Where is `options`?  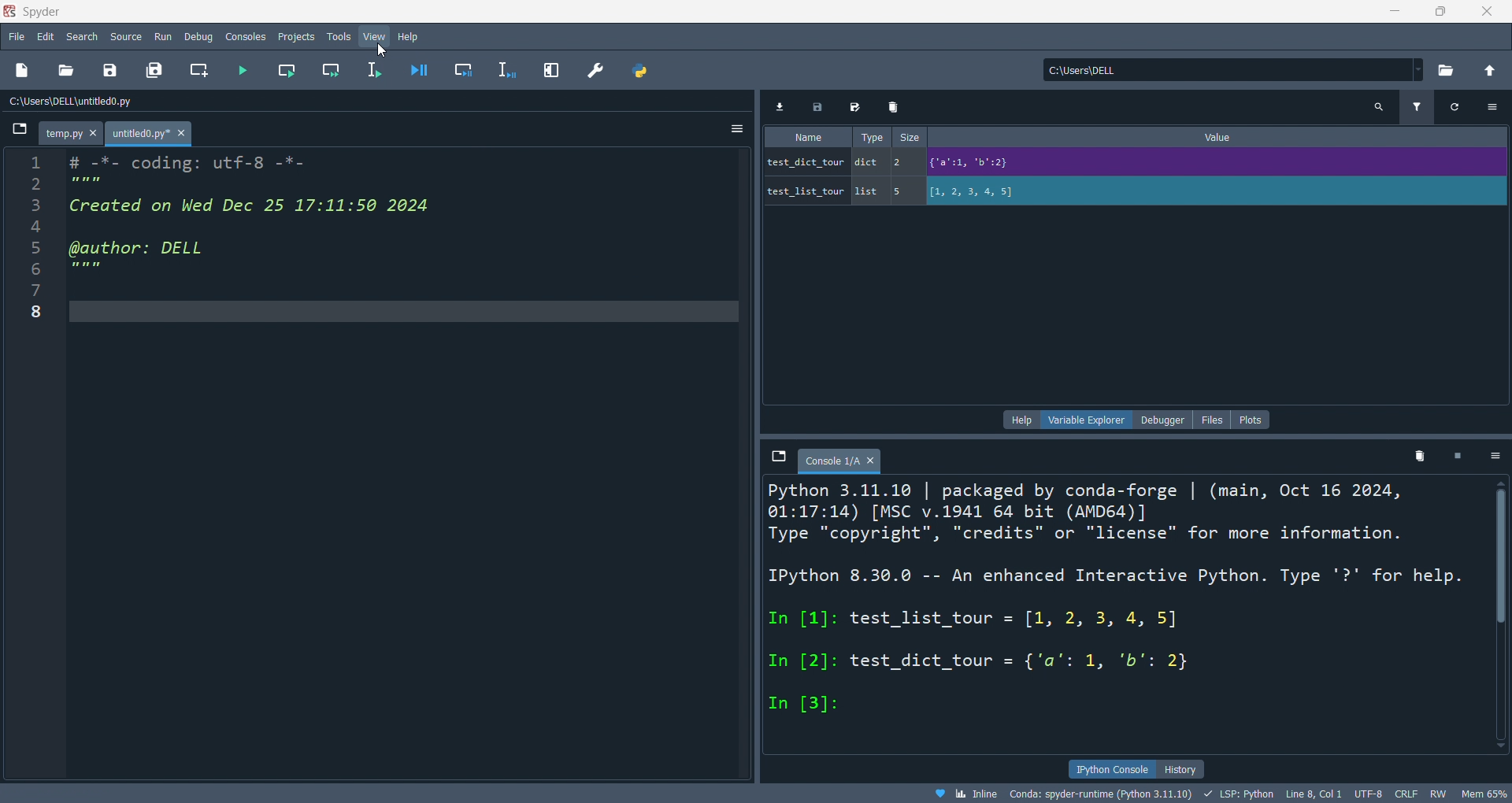
options is located at coordinates (736, 130).